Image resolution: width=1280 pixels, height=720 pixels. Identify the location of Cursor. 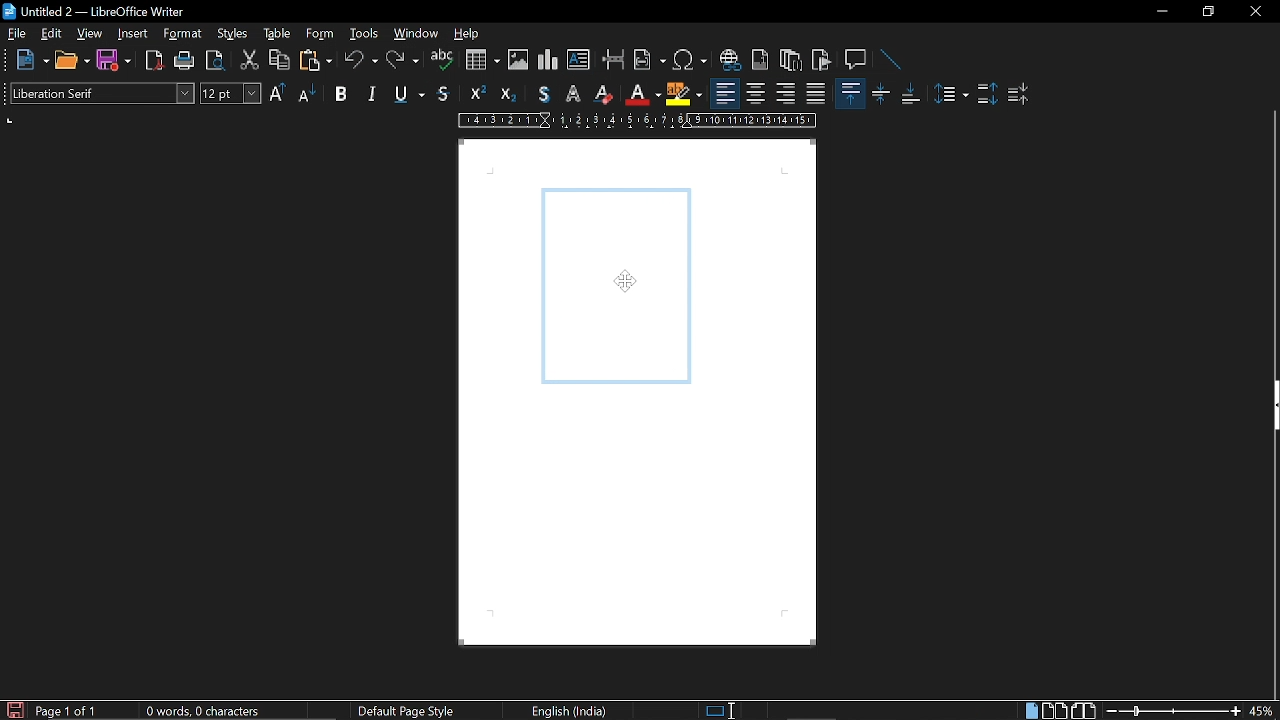
(615, 278).